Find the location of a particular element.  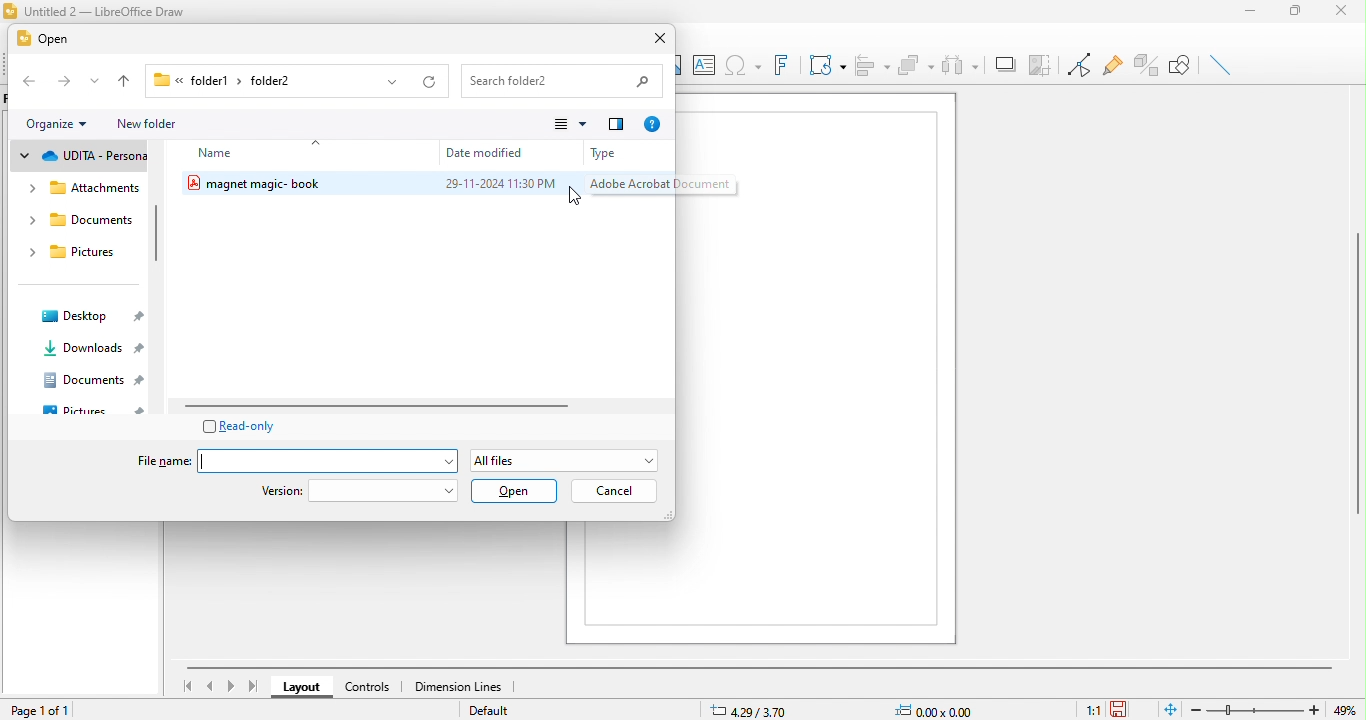

toggle point edit mode is located at coordinates (1079, 67).